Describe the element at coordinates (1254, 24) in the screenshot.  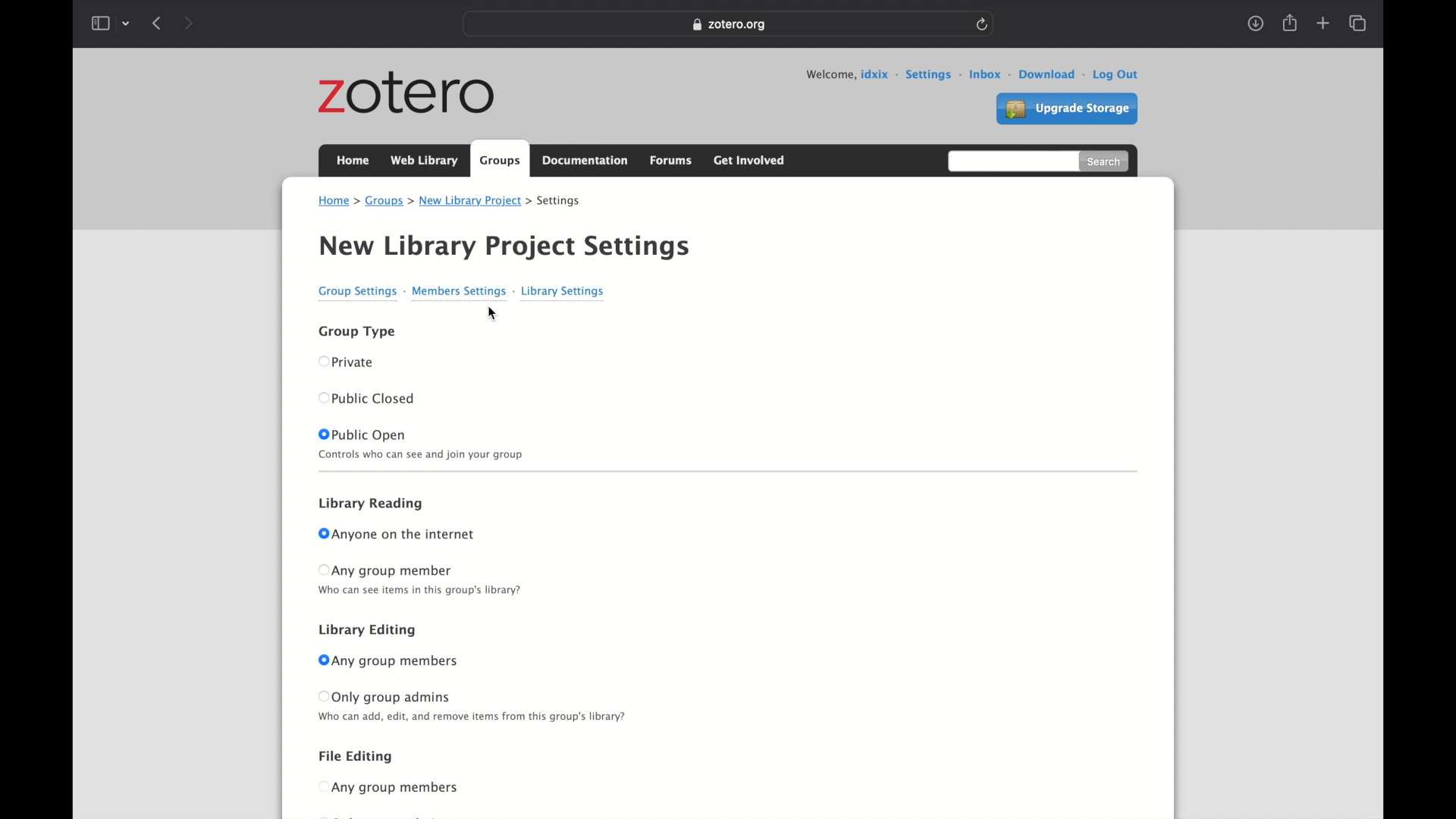
I see `show downloads` at that location.